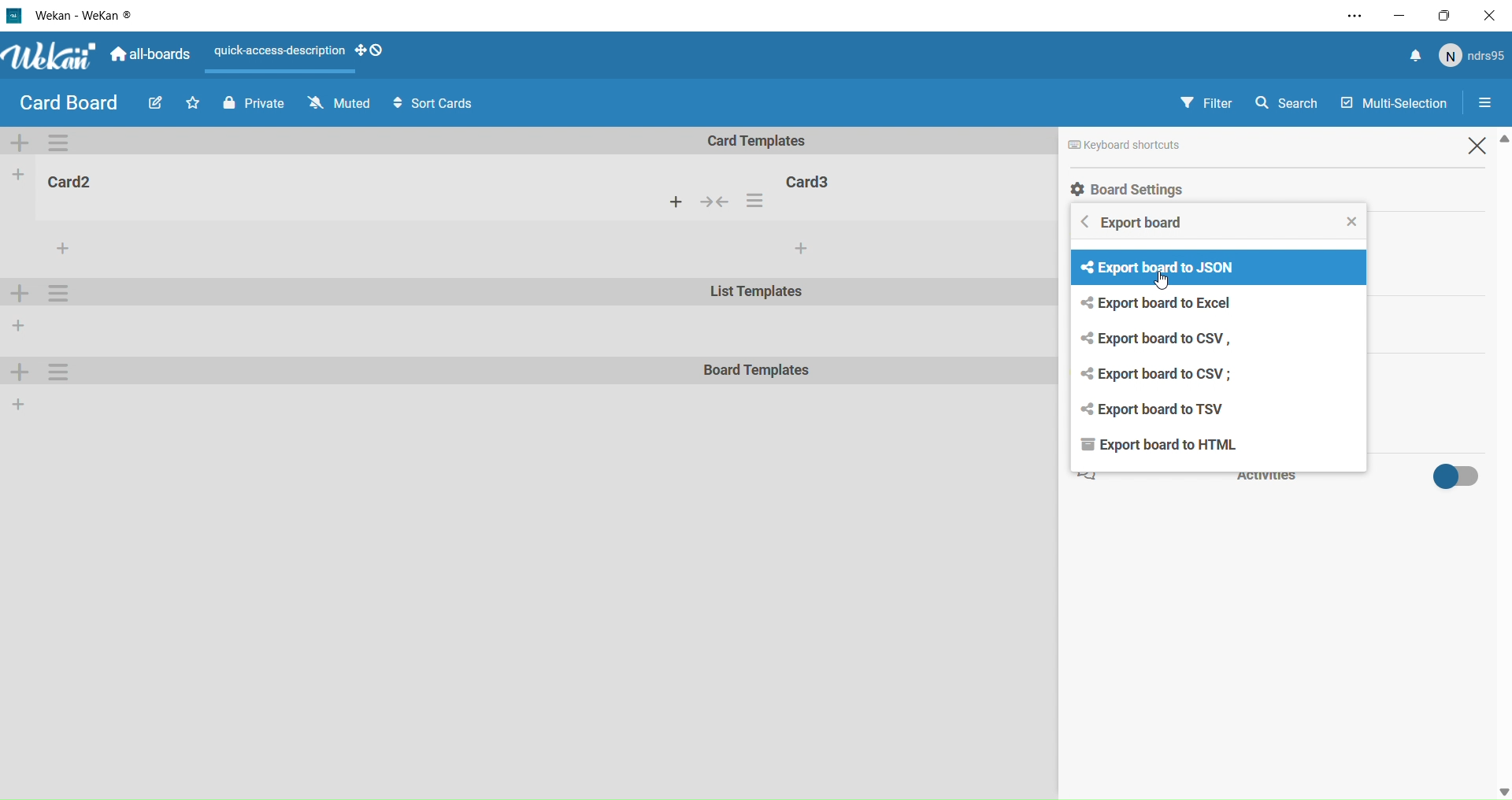  I want to click on Export board to TSV, so click(1158, 410).